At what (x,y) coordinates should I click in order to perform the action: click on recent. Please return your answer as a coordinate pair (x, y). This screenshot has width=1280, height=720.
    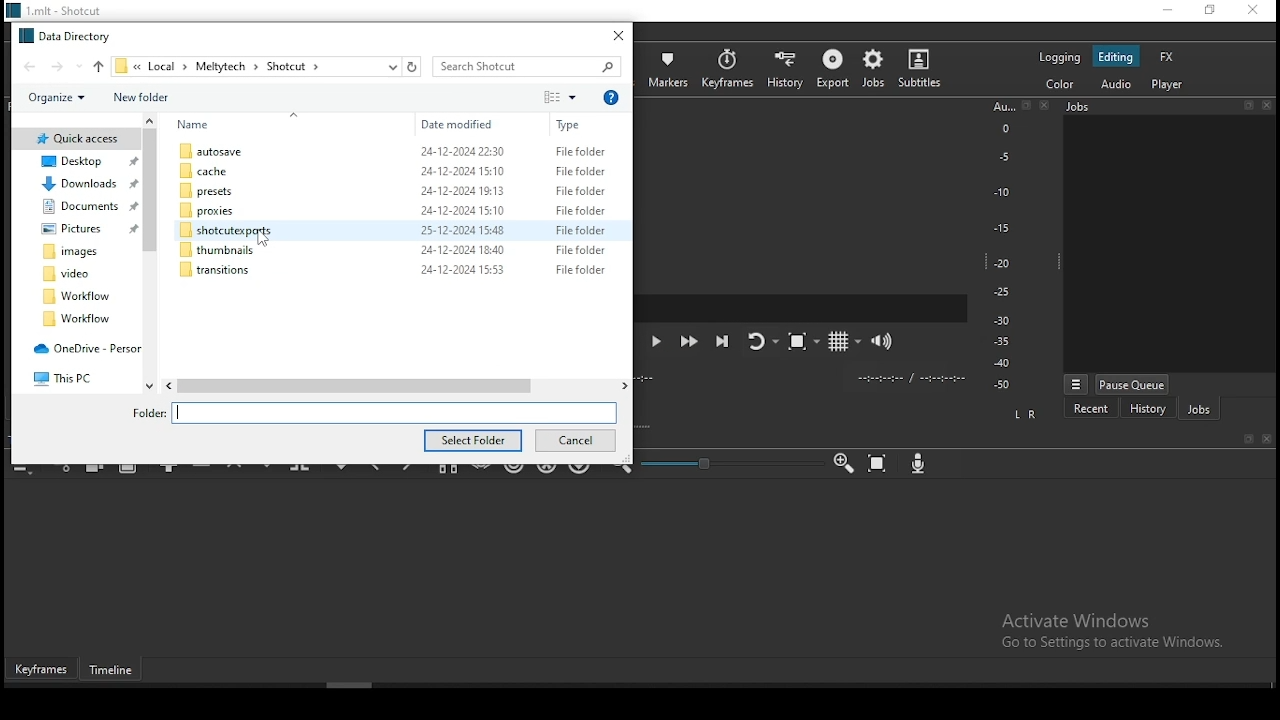
    Looking at the image, I should click on (1091, 408).